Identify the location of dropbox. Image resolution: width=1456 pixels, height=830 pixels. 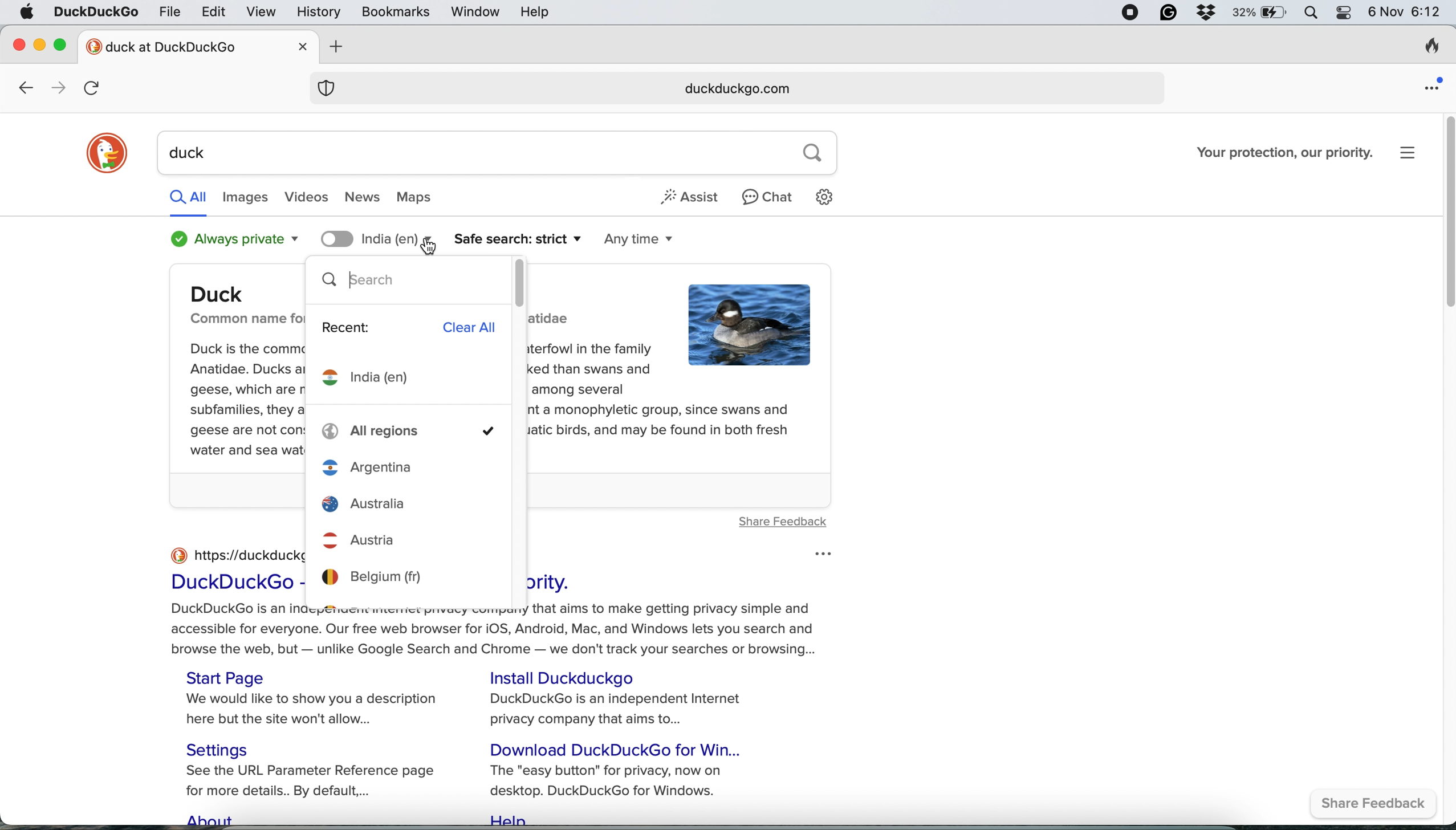
(1206, 13).